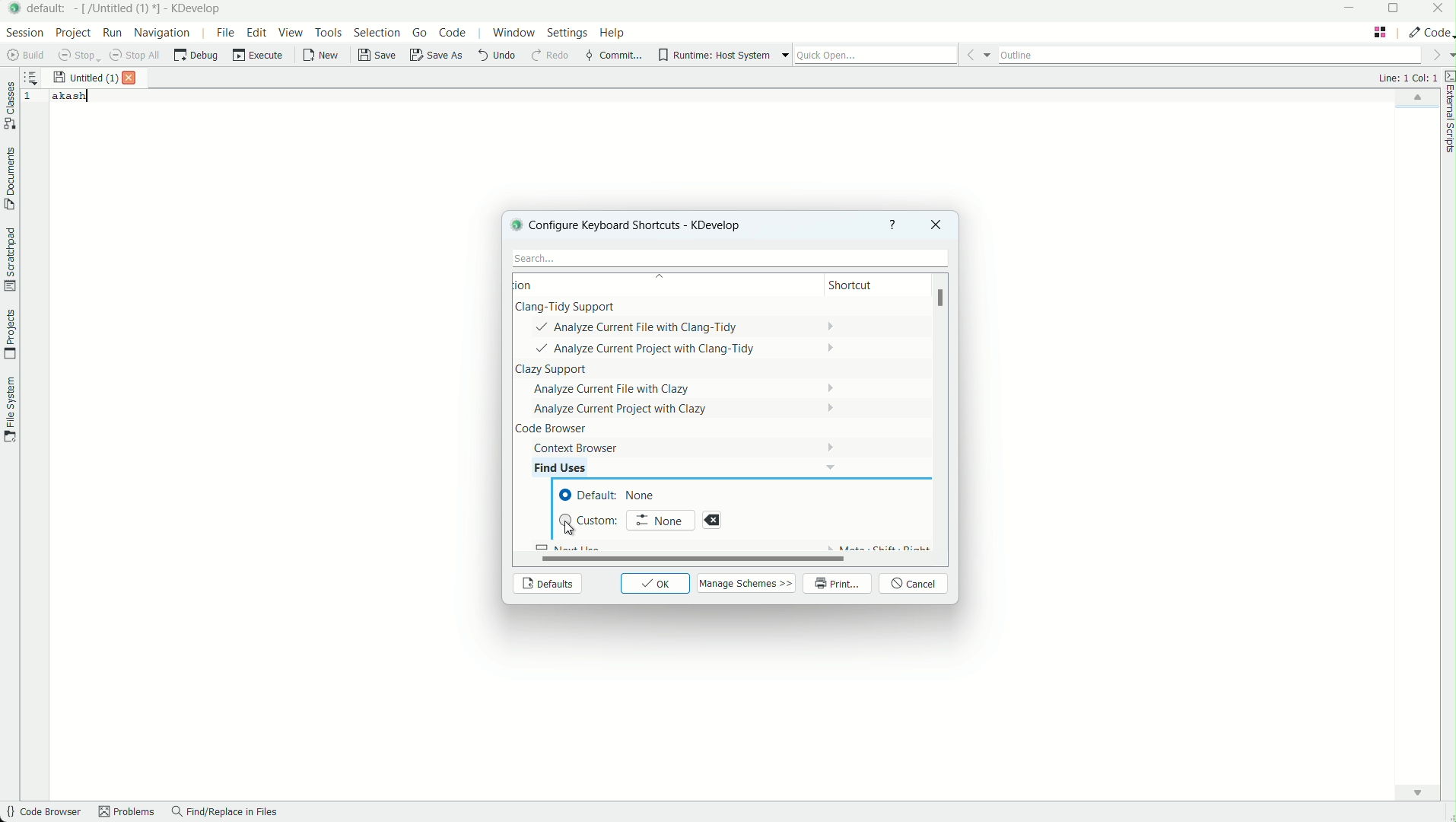 The width and height of the screenshot is (1456, 822). I want to click on debug, so click(196, 56).